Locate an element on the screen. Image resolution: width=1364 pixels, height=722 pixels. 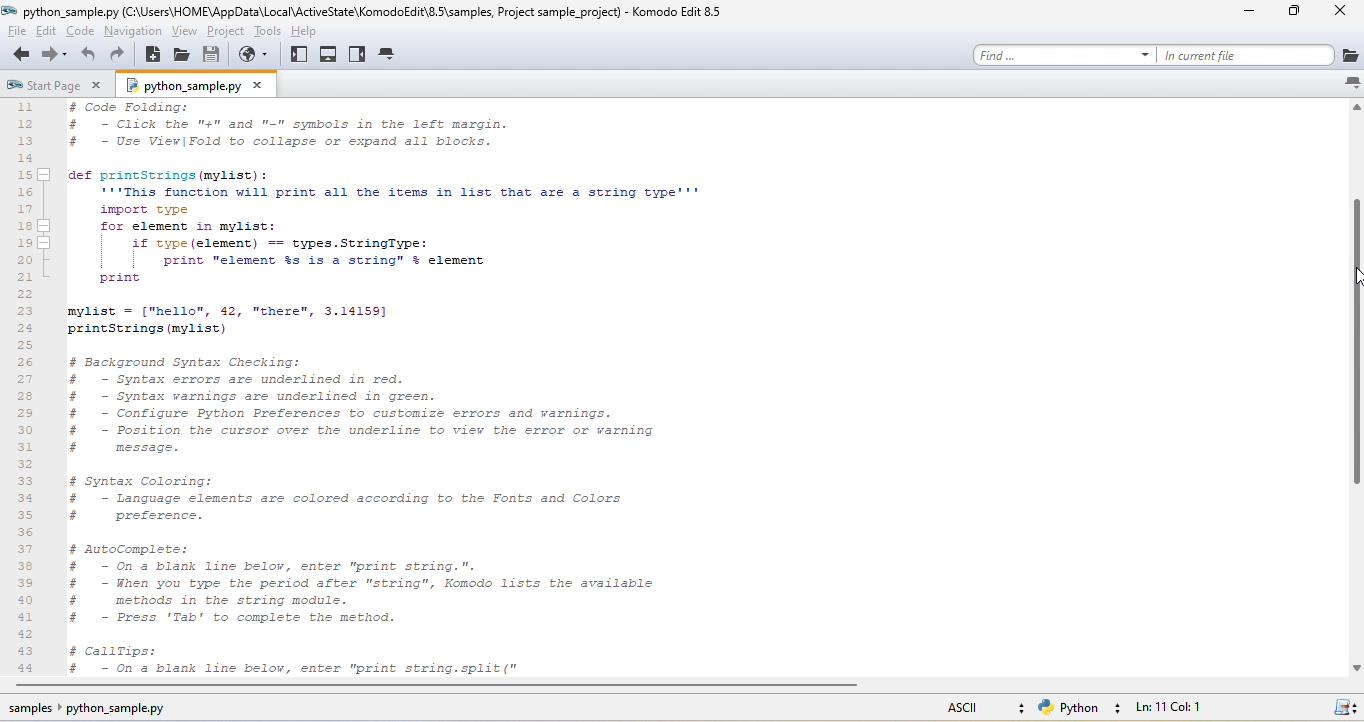
python sample is located at coordinates (199, 84).